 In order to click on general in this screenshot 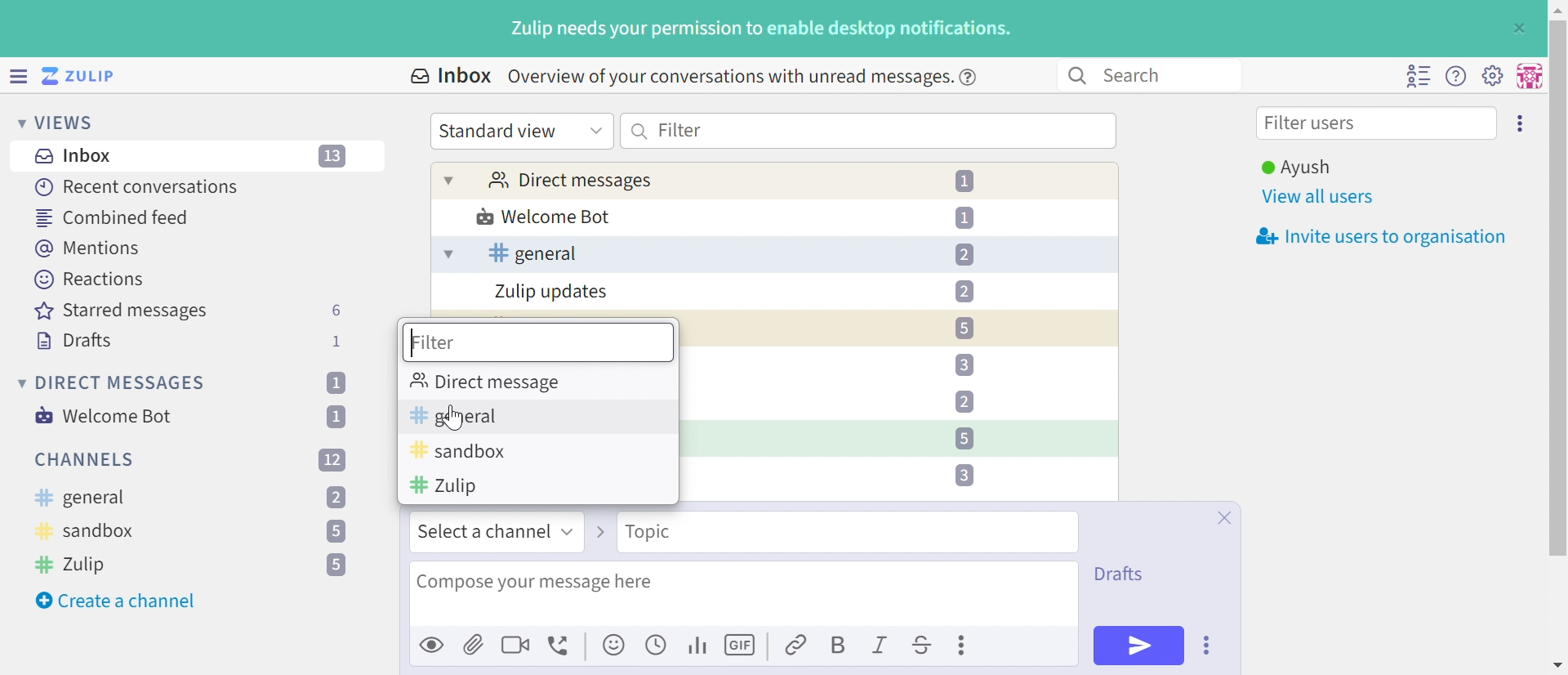, I will do `click(457, 414)`.